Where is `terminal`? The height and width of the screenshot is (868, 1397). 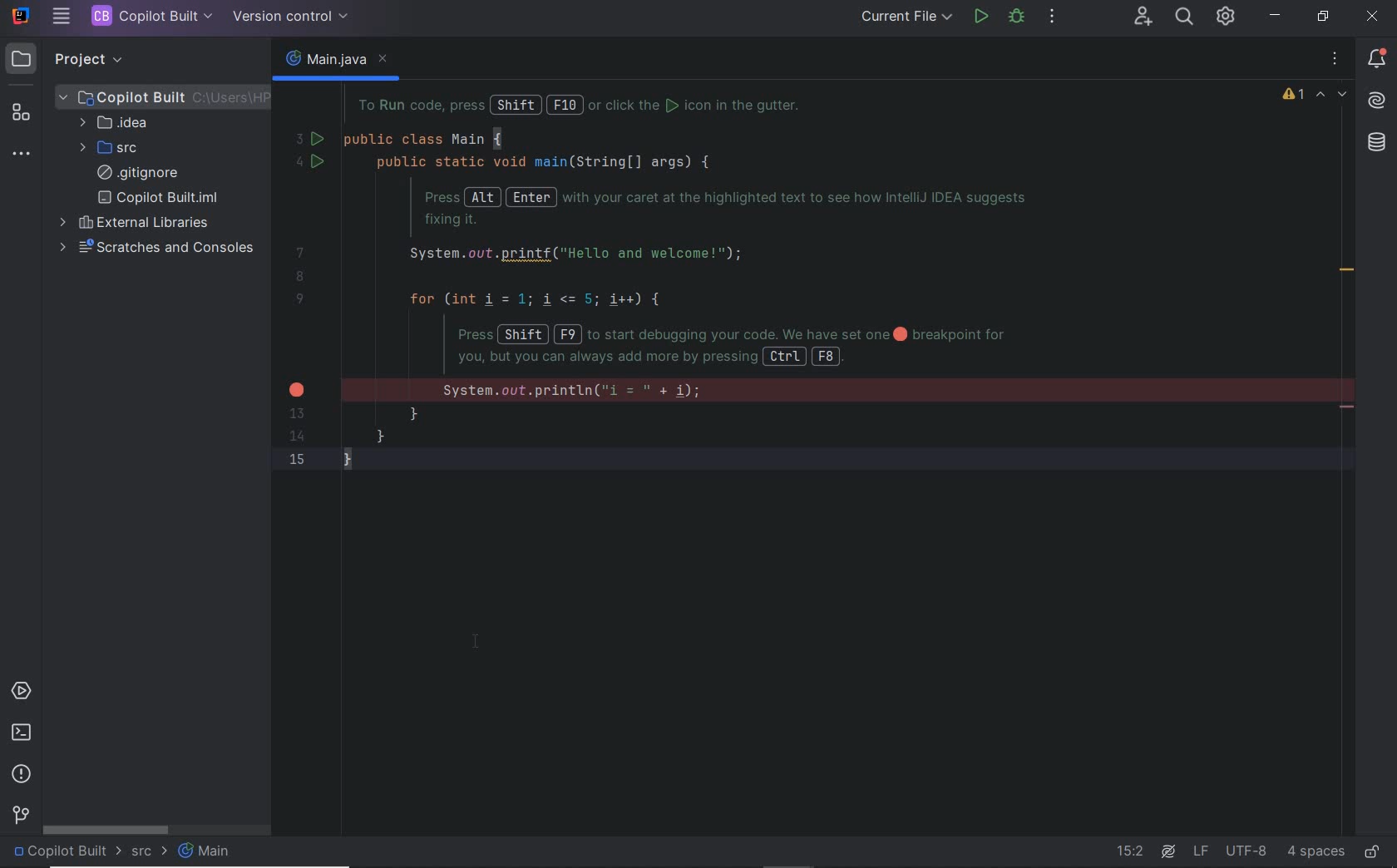
terminal is located at coordinates (21, 732).